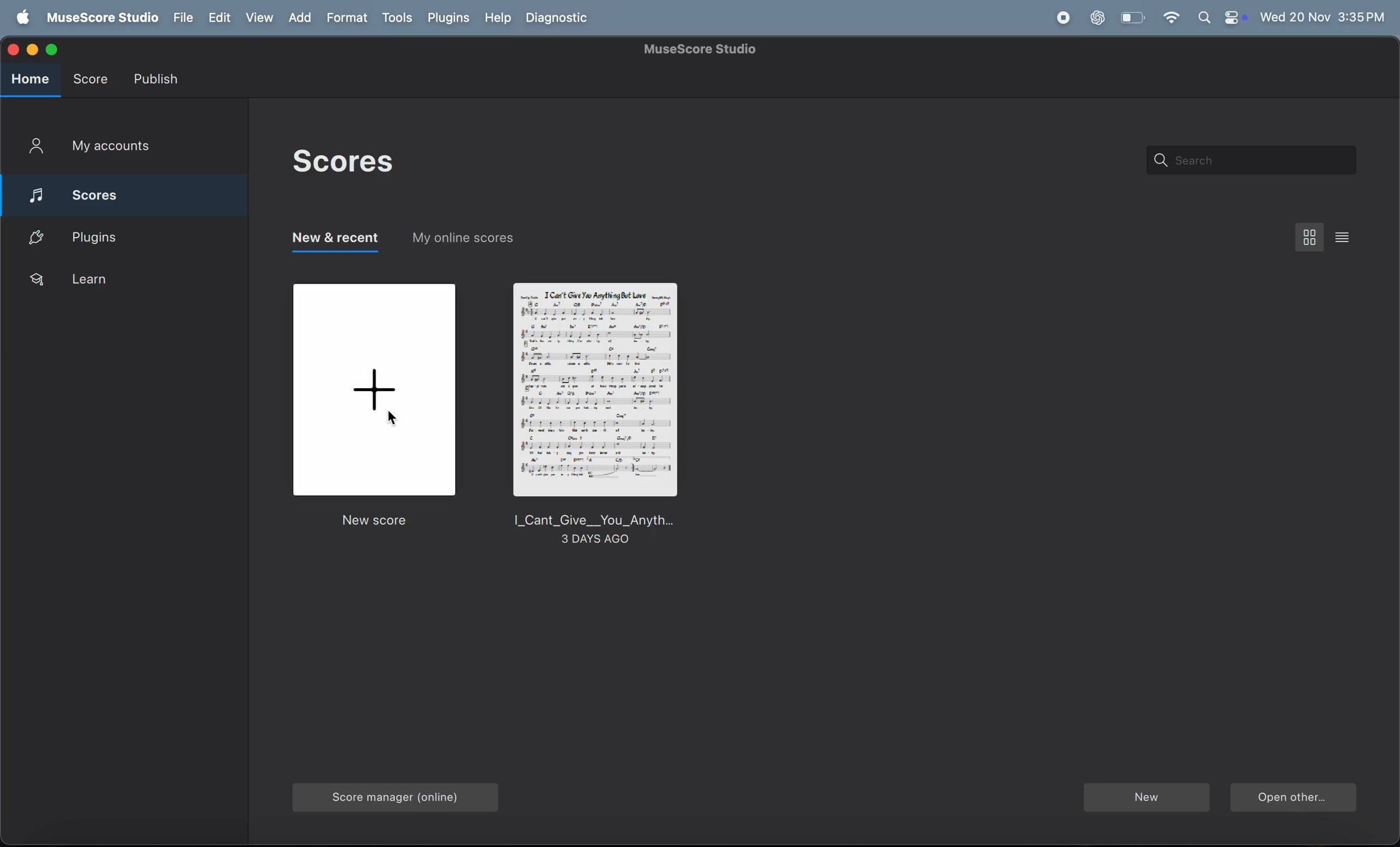  What do you see at coordinates (106, 280) in the screenshot?
I see `learn` at bounding box center [106, 280].